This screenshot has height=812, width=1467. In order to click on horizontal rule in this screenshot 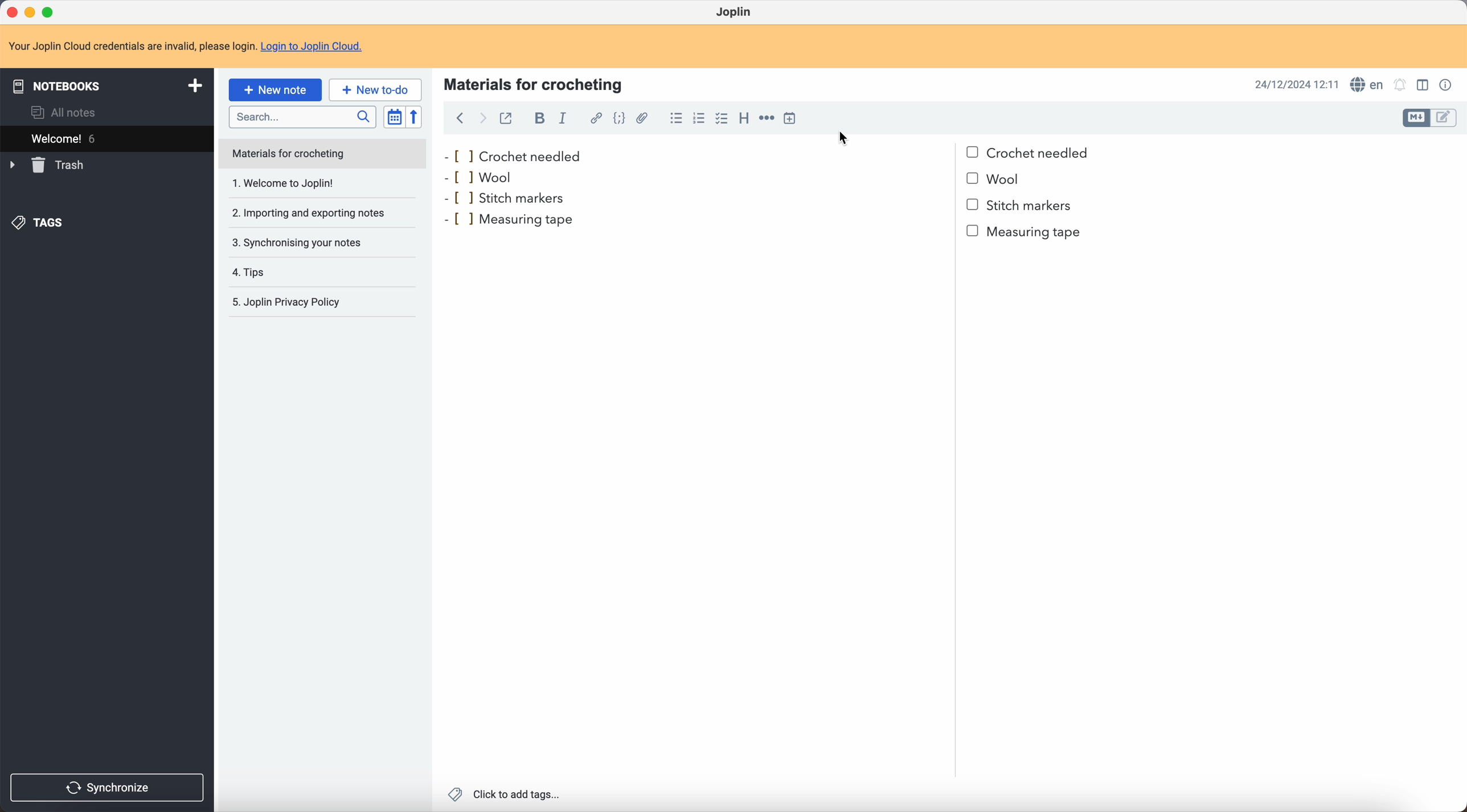, I will do `click(766, 120)`.